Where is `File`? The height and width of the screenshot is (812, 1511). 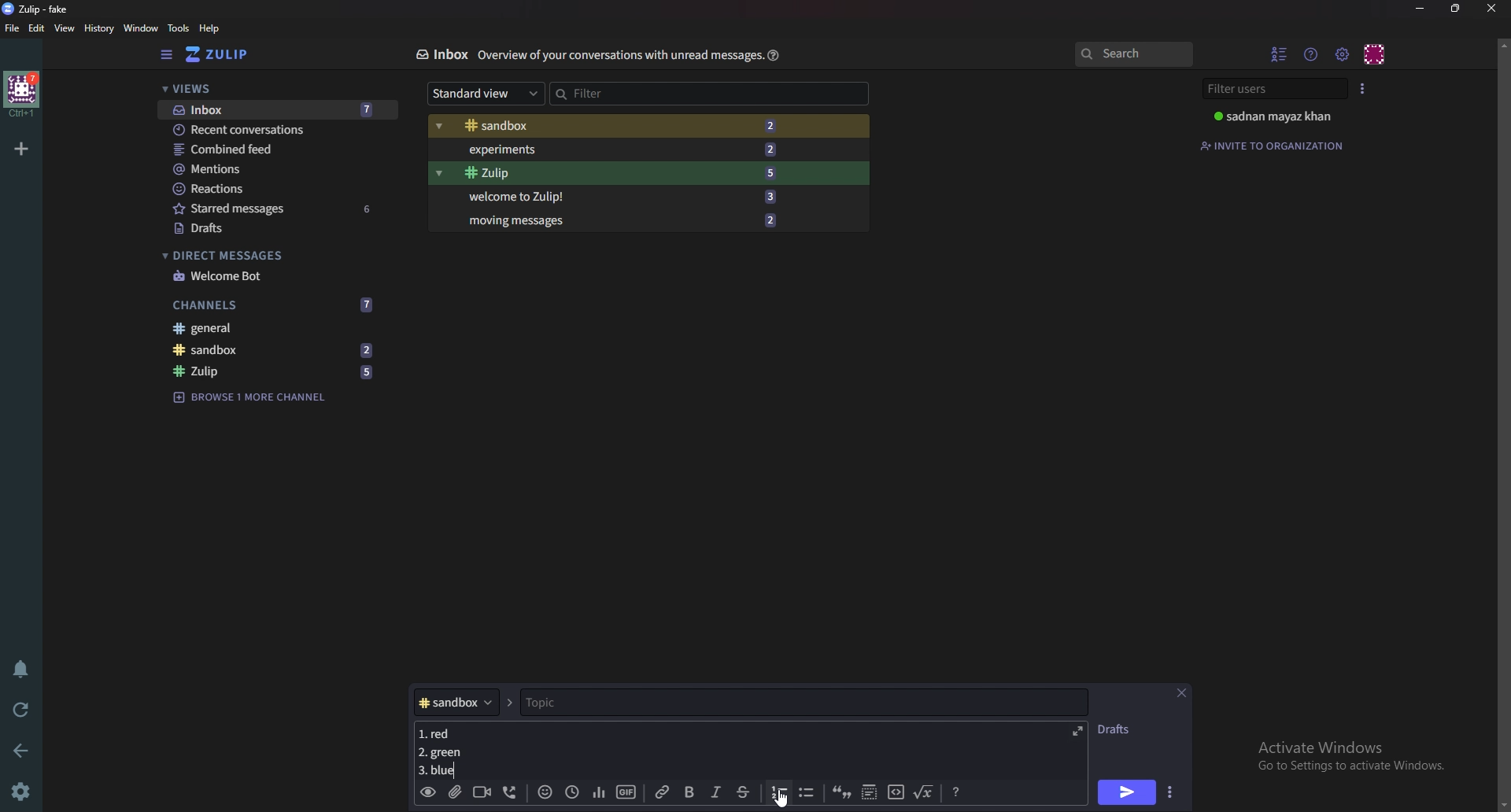
File is located at coordinates (13, 29).